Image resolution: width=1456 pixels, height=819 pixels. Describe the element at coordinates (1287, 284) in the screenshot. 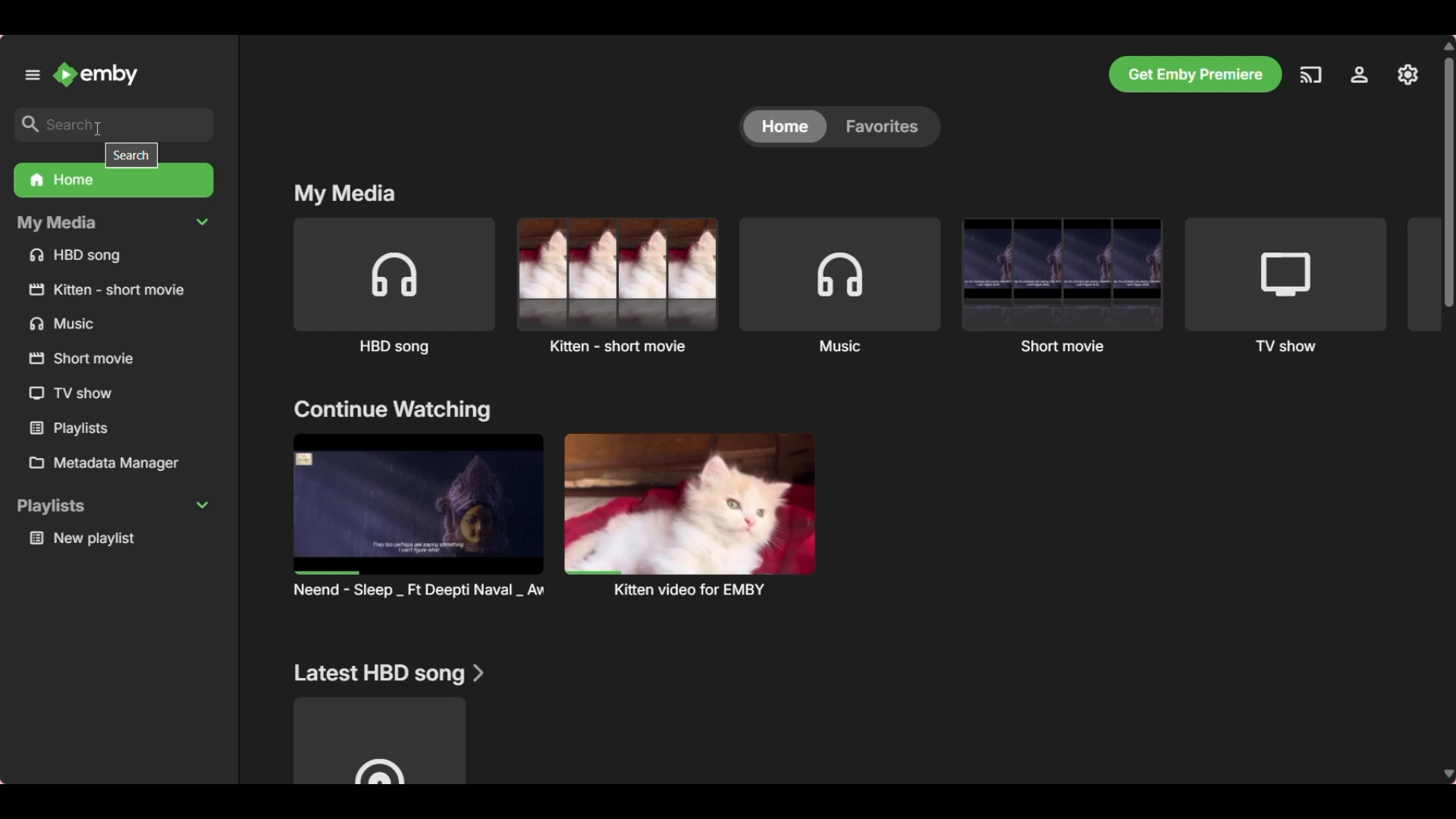

I see `TV show` at that location.